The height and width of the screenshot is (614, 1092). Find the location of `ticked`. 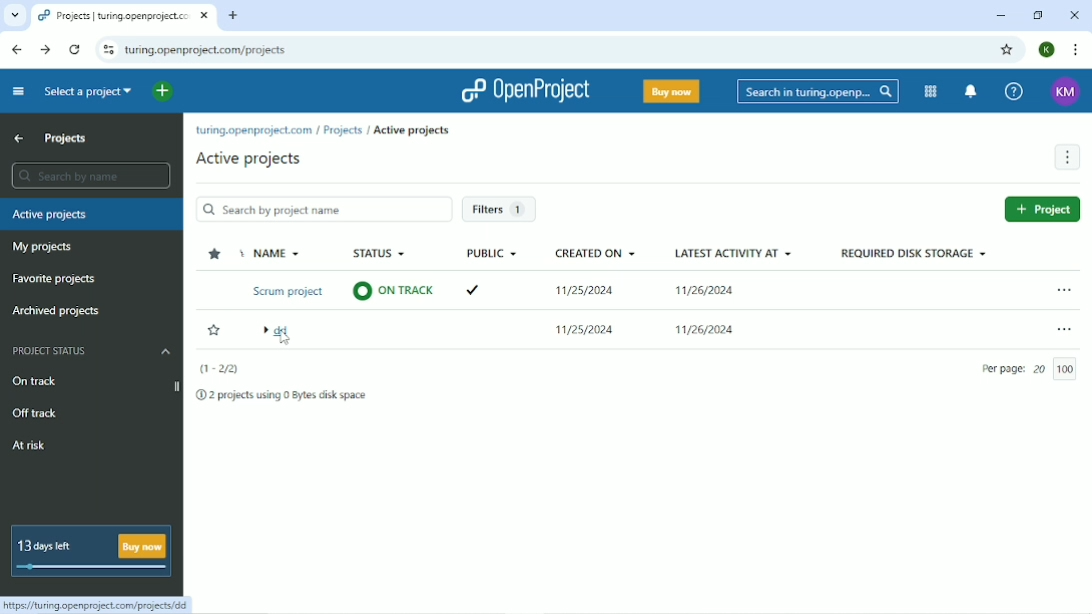

ticked is located at coordinates (470, 290).